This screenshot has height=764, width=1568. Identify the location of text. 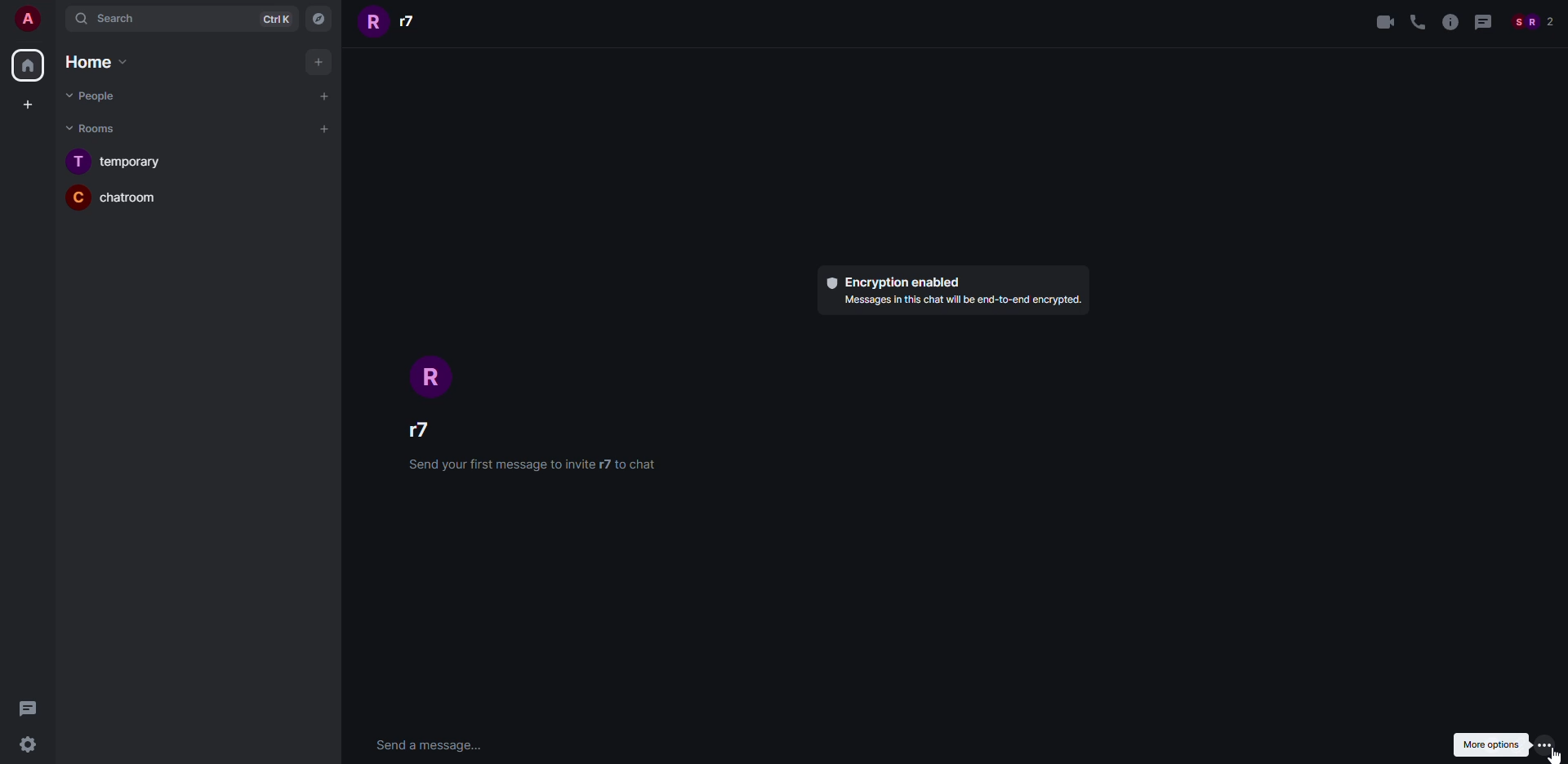
(530, 464).